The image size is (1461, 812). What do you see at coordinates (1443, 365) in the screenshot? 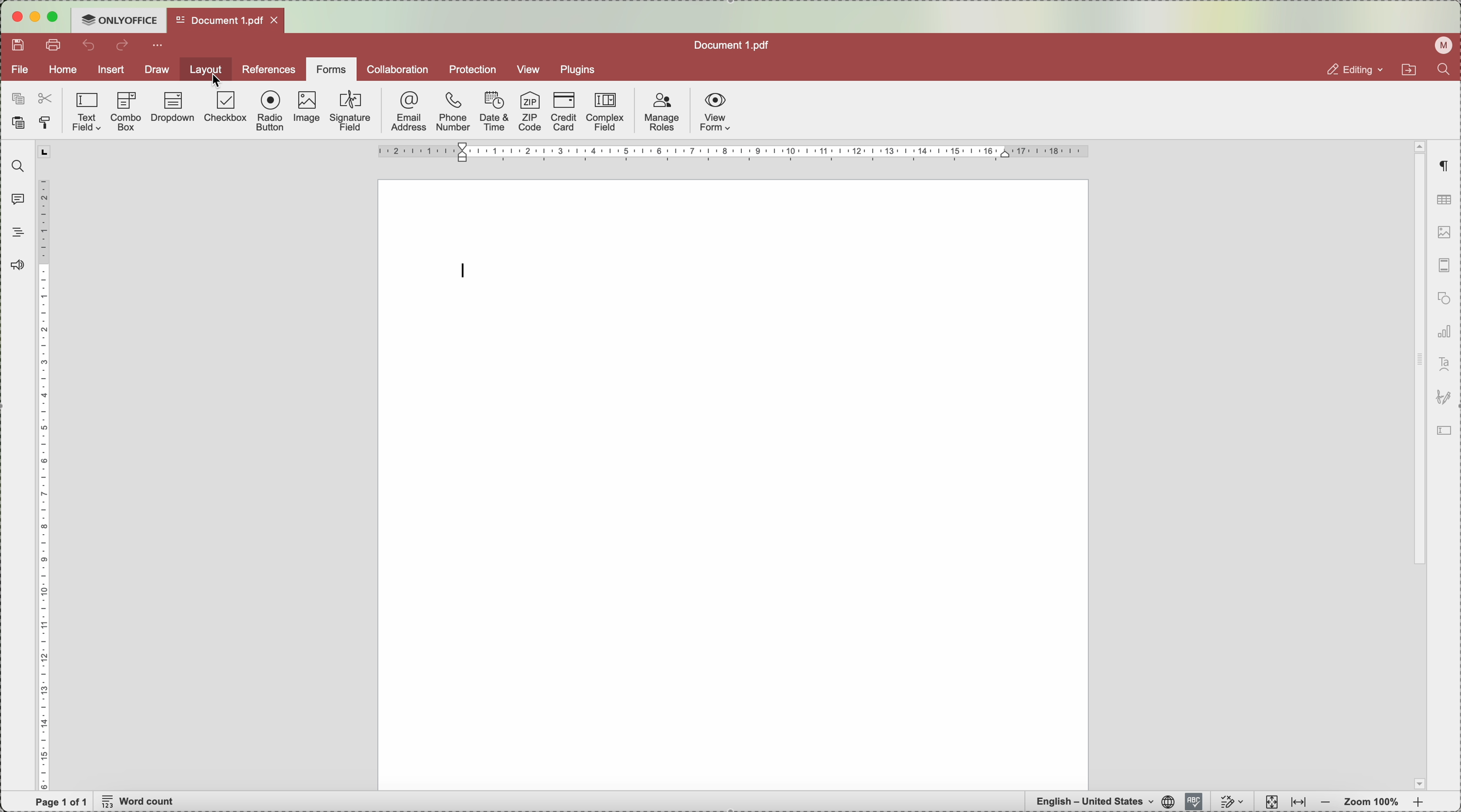
I see `text art settings` at bounding box center [1443, 365].